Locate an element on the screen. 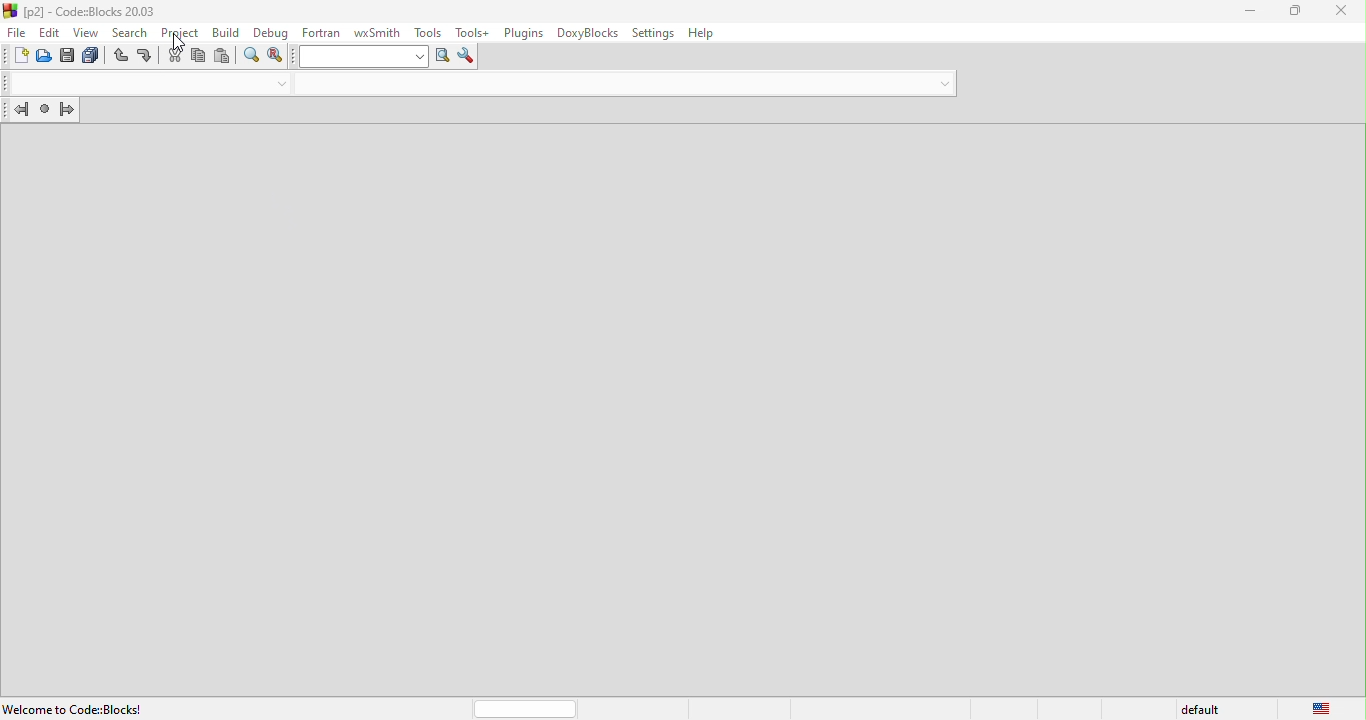 The image size is (1366, 720). jump forward  is located at coordinates (70, 112).